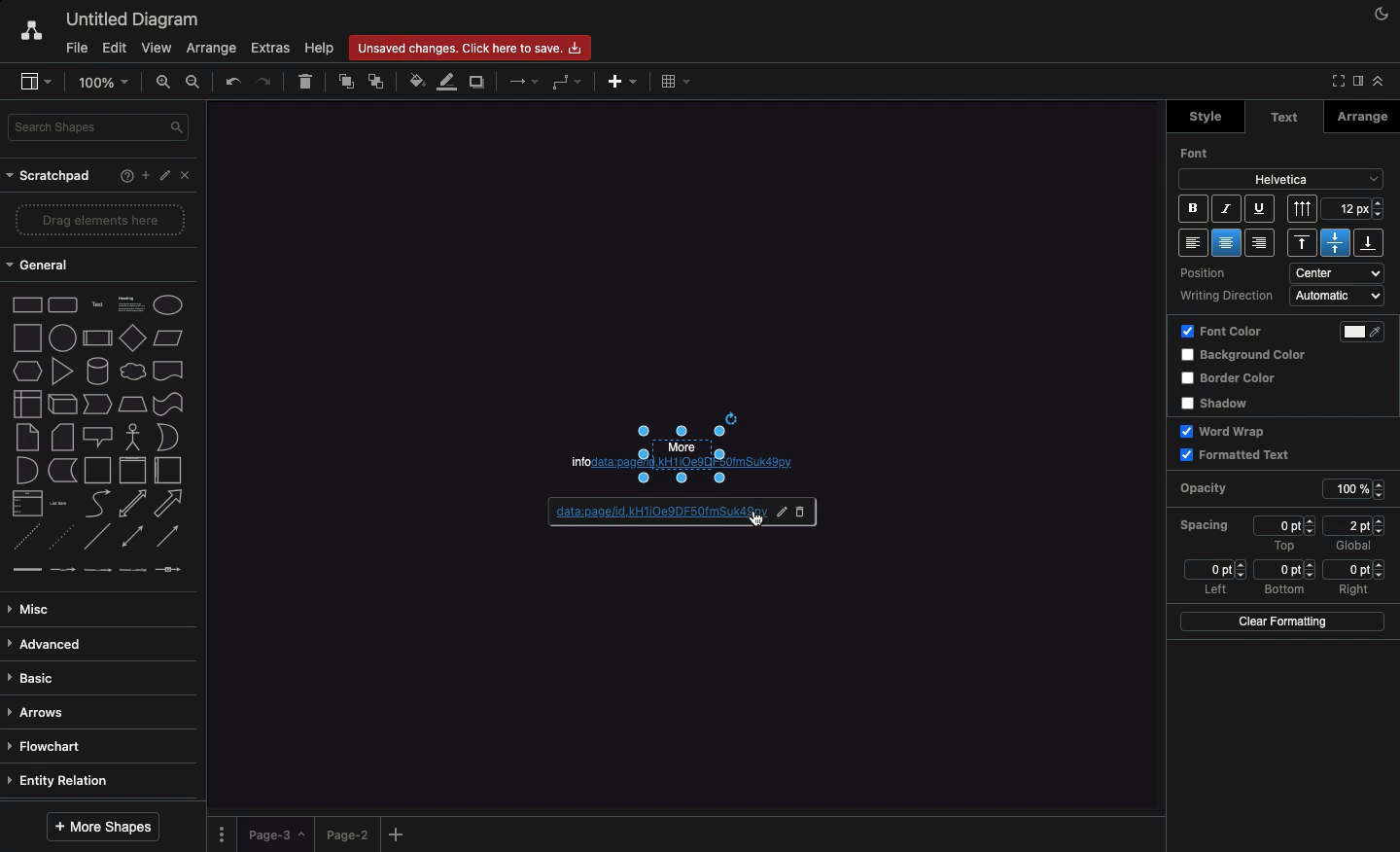 The height and width of the screenshot is (852, 1400). I want to click on Close, so click(190, 179).